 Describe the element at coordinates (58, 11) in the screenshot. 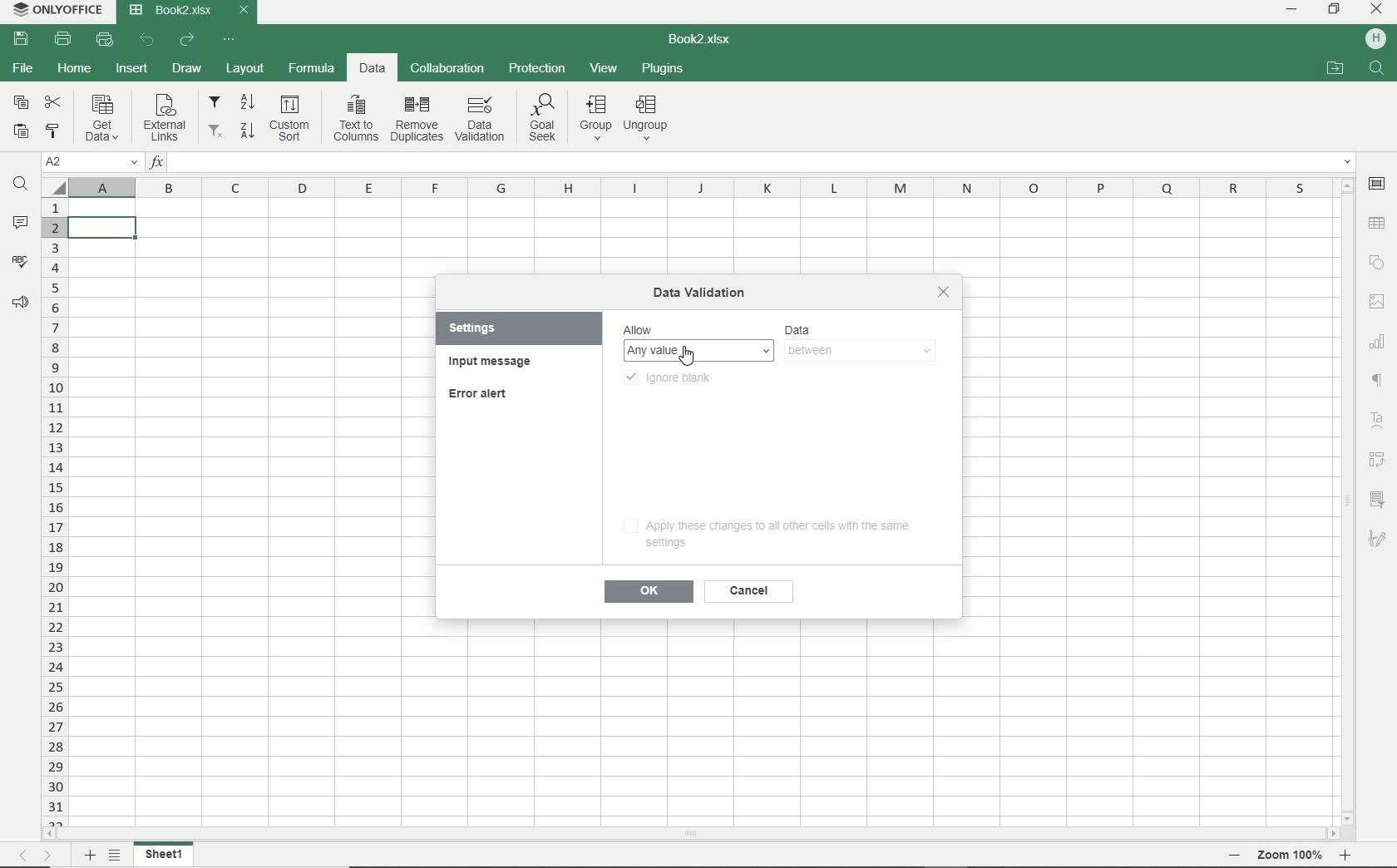

I see `system name` at that location.